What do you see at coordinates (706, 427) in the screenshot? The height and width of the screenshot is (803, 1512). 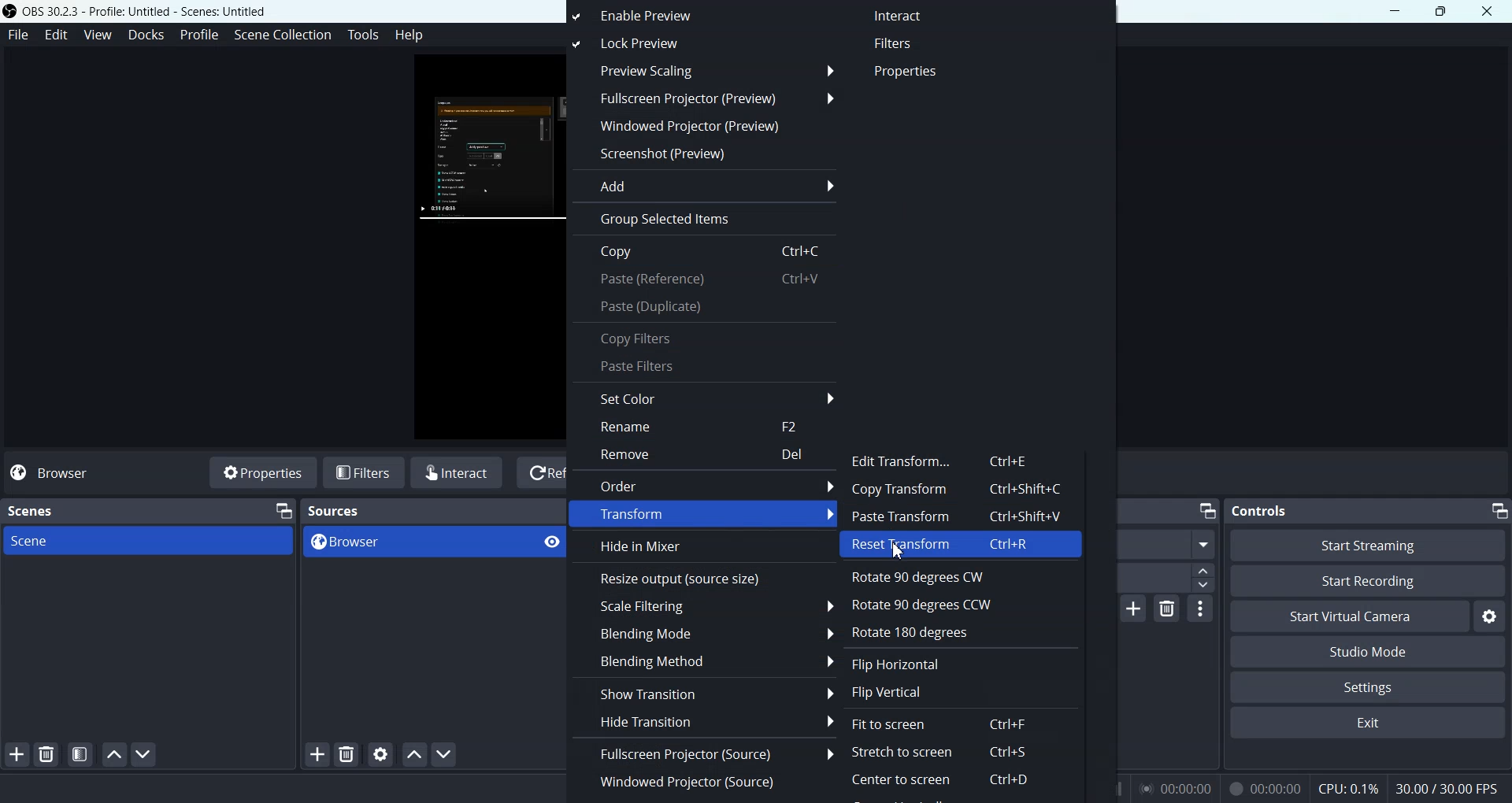 I see `Rename` at bounding box center [706, 427].